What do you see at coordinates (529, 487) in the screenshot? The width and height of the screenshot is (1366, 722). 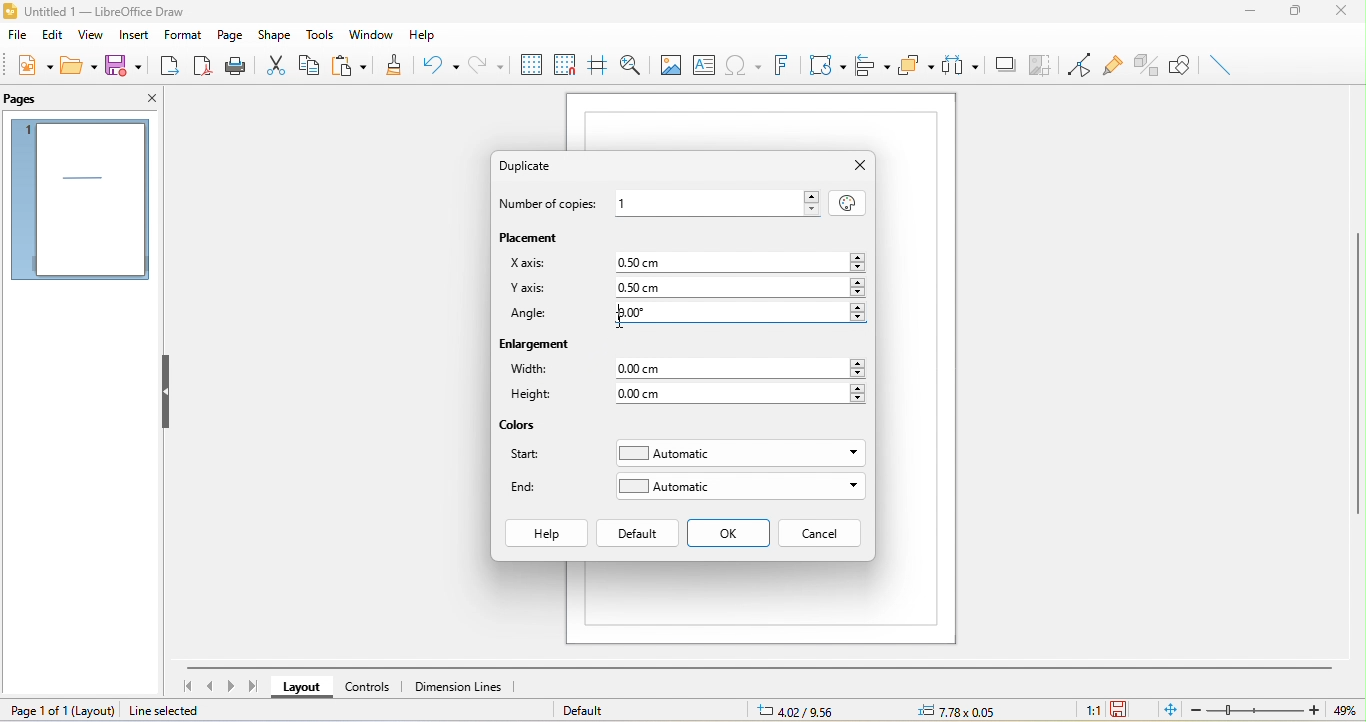 I see `end` at bounding box center [529, 487].